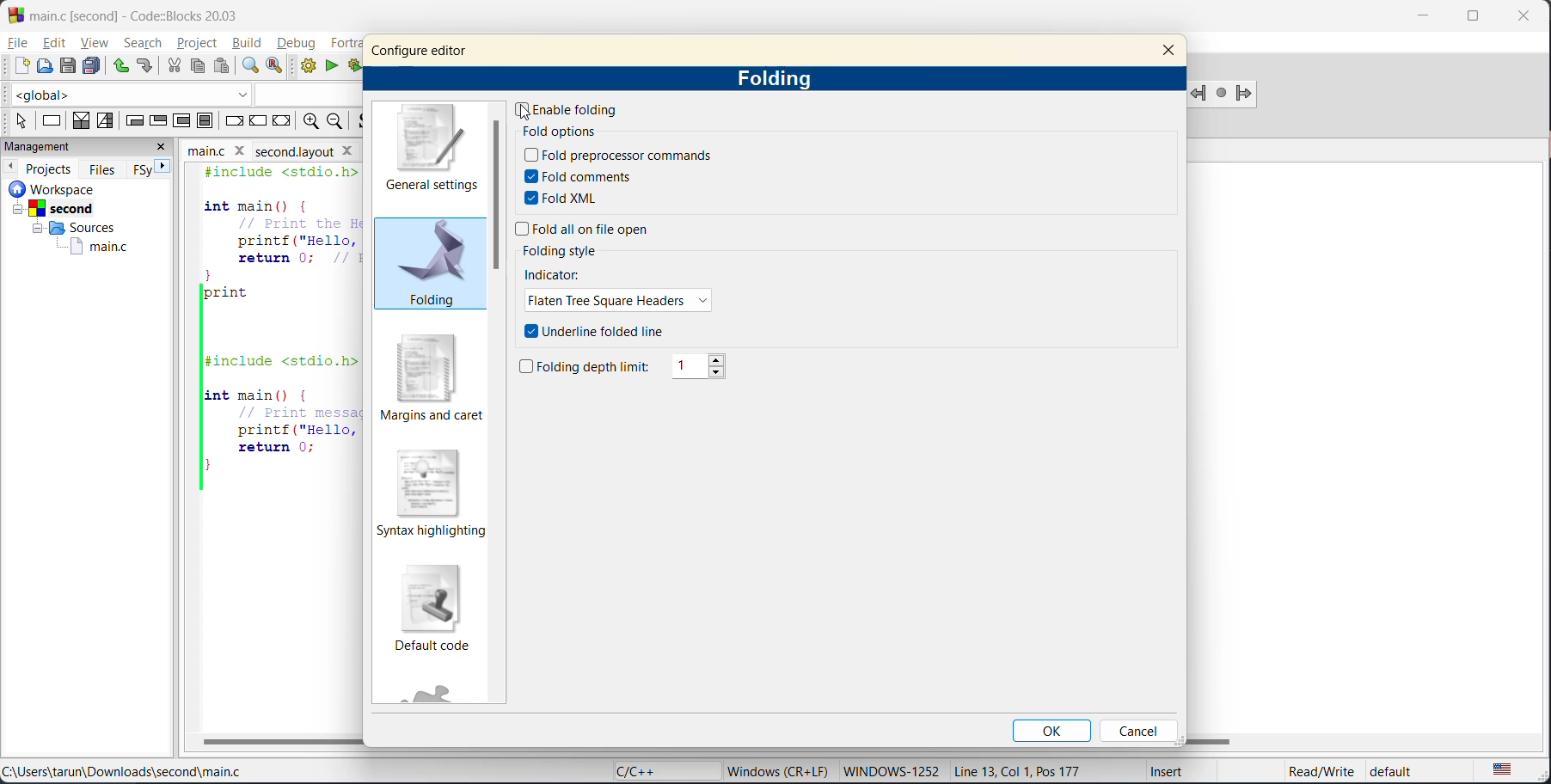  What do you see at coordinates (1161, 774) in the screenshot?
I see `Insert` at bounding box center [1161, 774].